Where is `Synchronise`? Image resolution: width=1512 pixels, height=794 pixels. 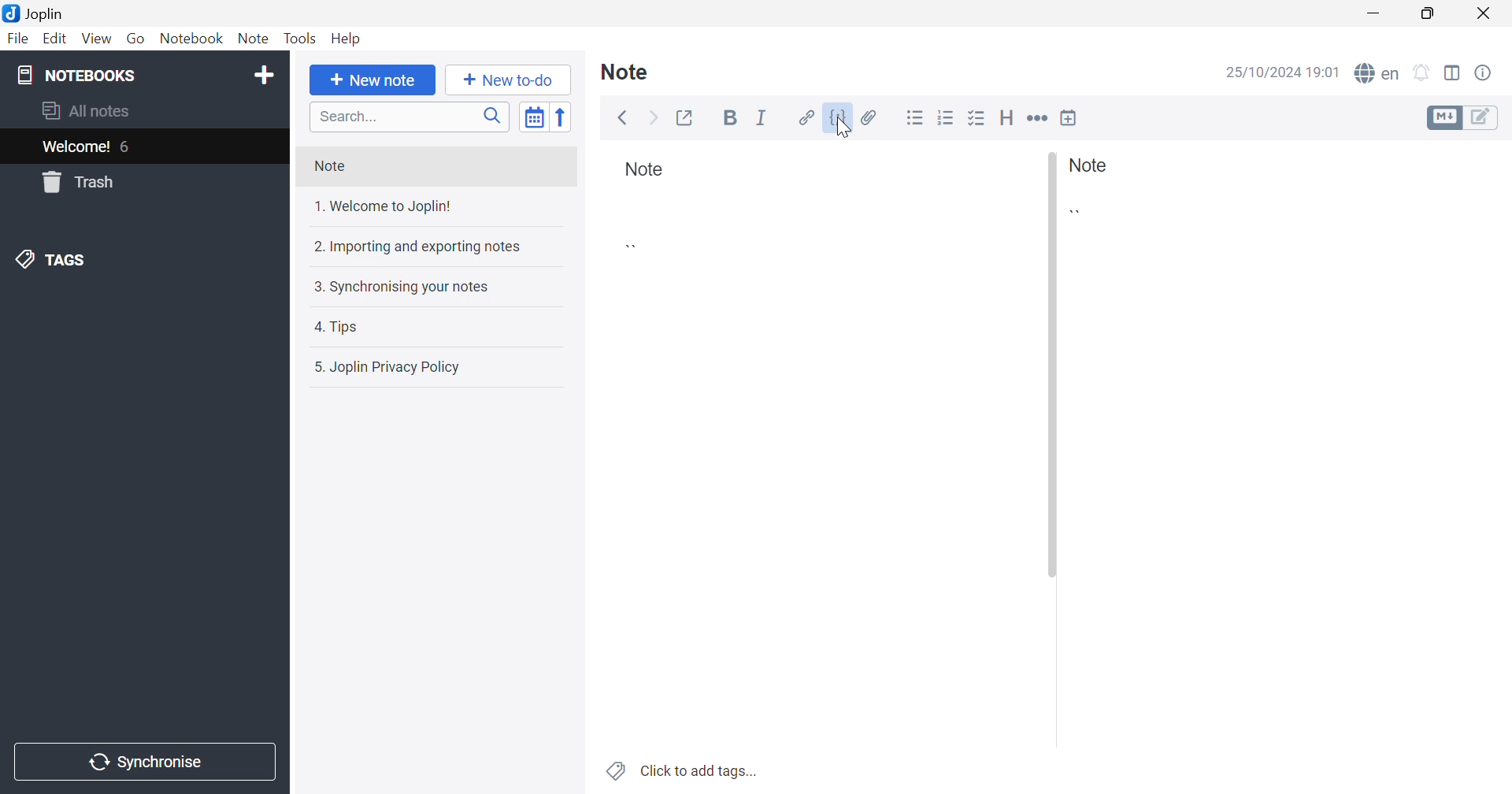 Synchronise is located at coordinates (142, 760).